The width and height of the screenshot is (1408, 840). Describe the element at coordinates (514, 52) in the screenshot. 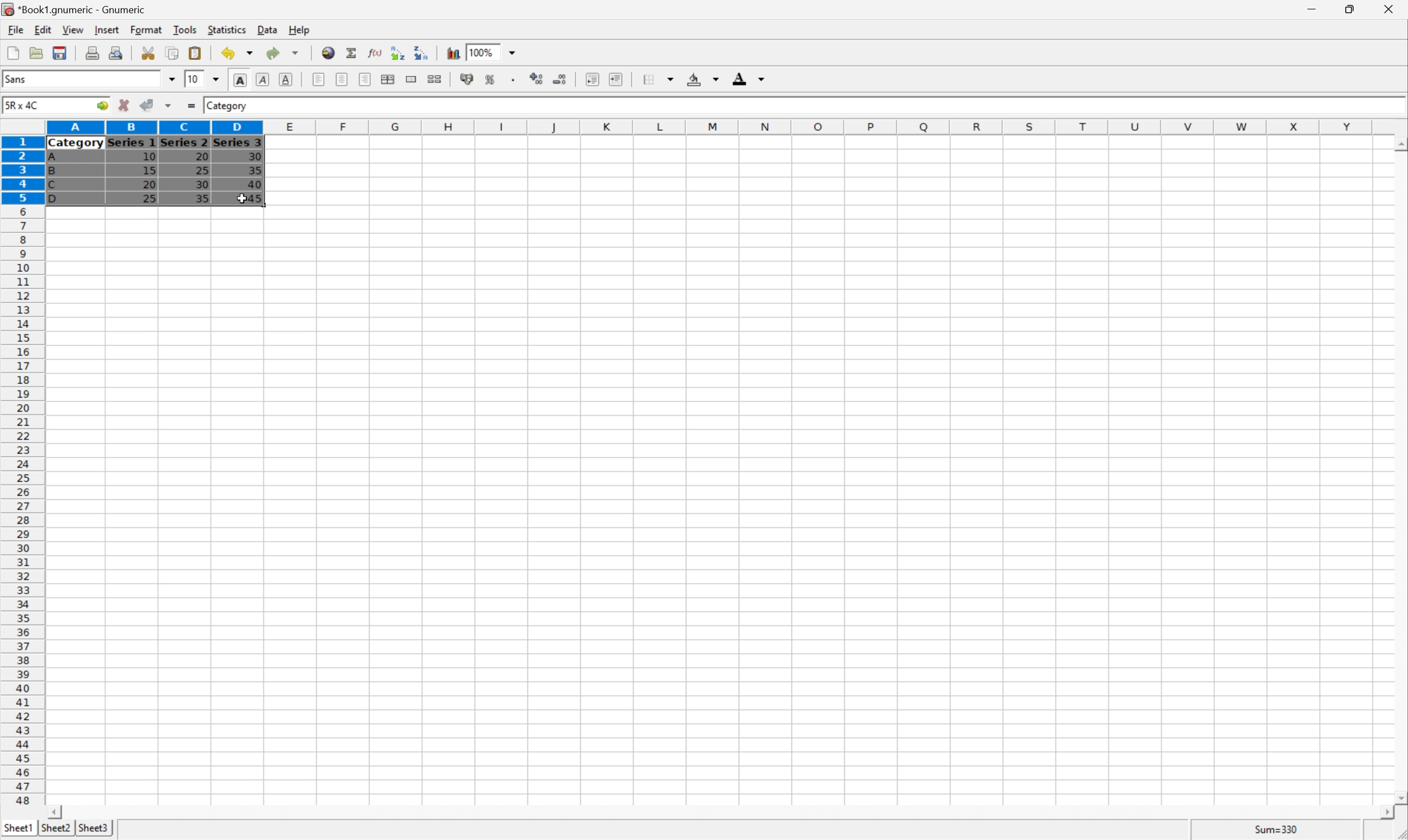

I see `Drop Down` at that location.